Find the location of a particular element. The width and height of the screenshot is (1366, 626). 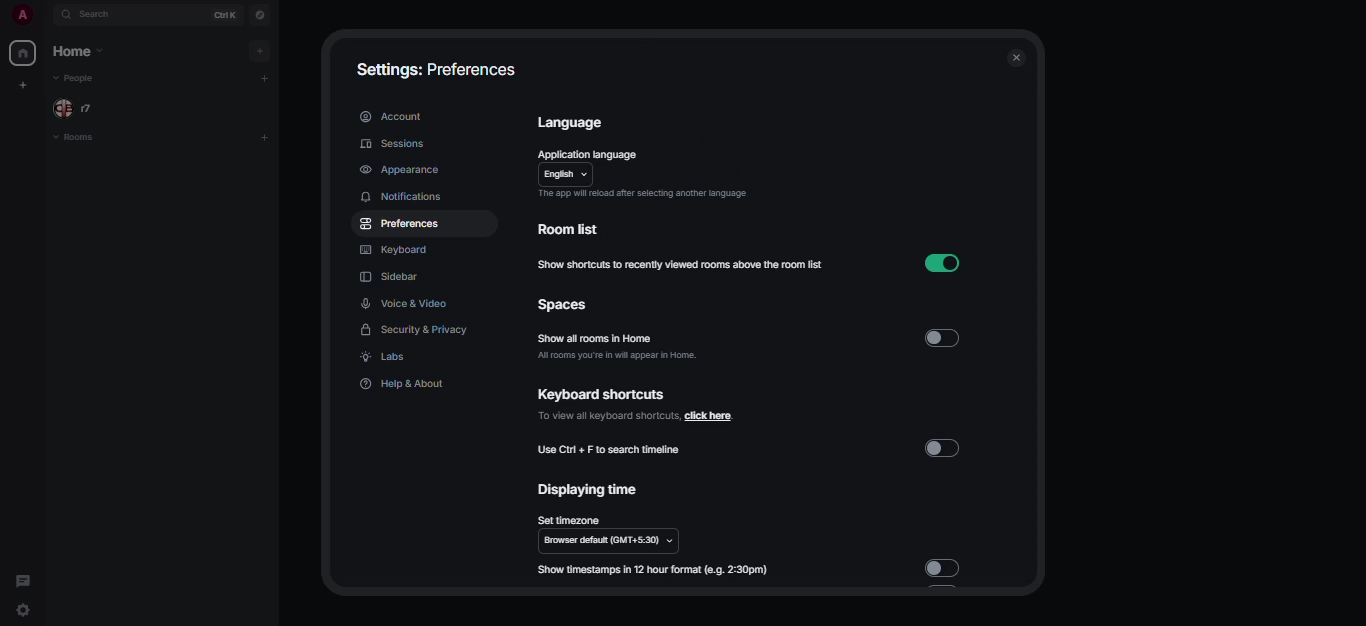

navigator is located at coordinates (262, 12).